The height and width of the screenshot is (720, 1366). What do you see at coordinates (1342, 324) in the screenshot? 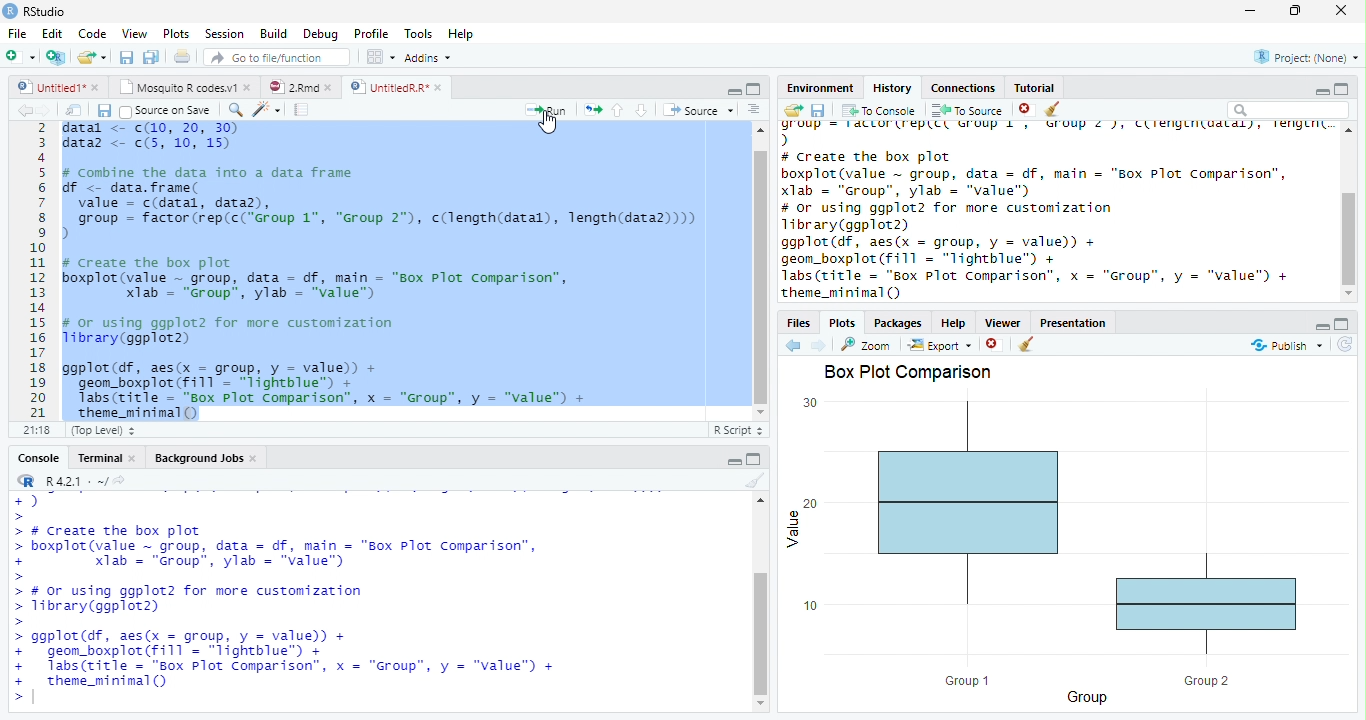
I see `Maximize` at bounding box center [1342, 324].